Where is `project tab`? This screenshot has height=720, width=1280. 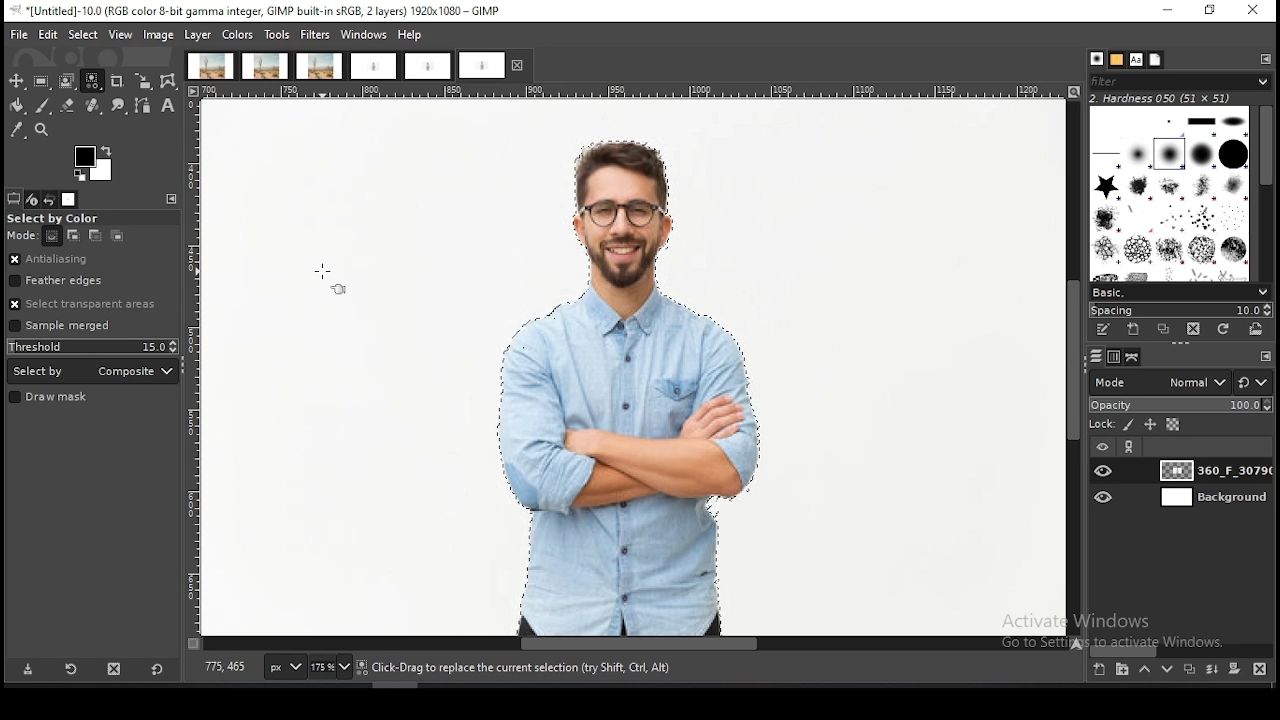
project tab is located at coordinates (495, 65).